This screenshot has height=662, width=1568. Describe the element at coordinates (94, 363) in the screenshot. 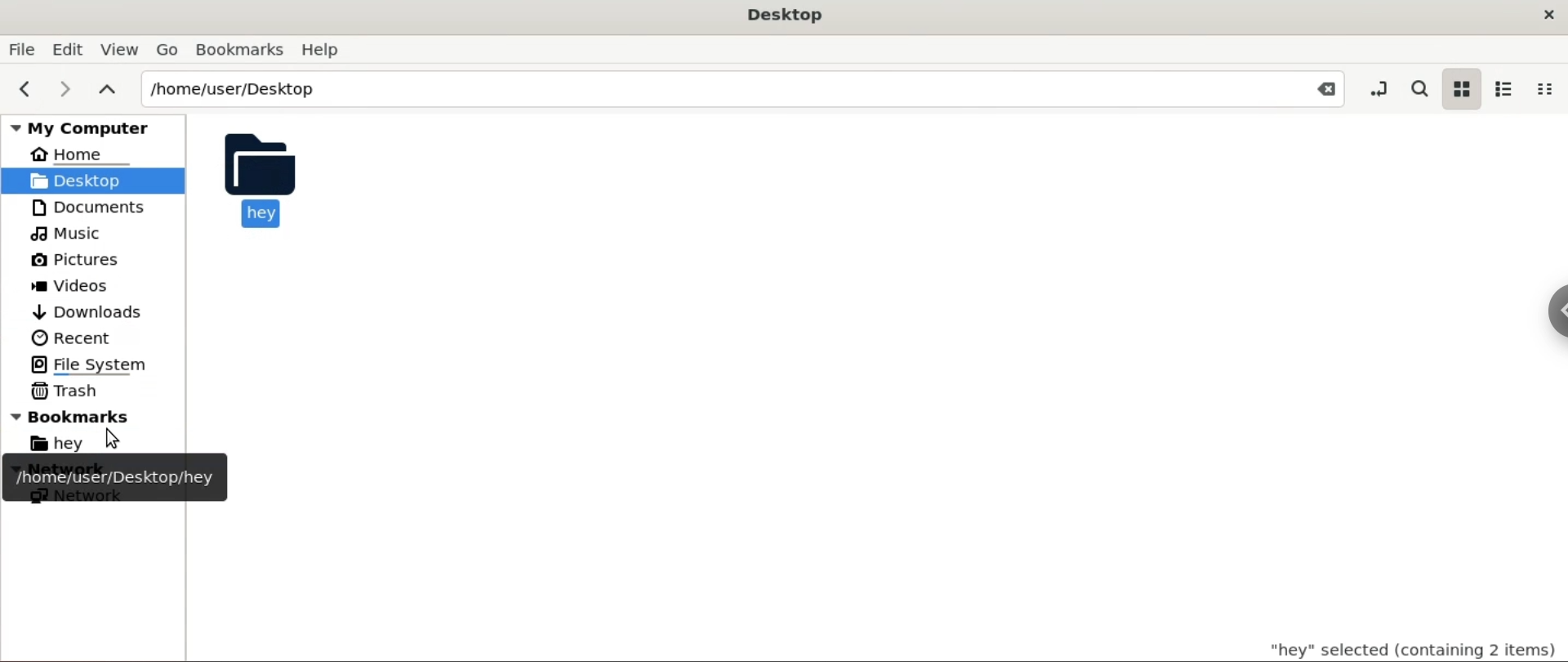

I see `File System` at that location.